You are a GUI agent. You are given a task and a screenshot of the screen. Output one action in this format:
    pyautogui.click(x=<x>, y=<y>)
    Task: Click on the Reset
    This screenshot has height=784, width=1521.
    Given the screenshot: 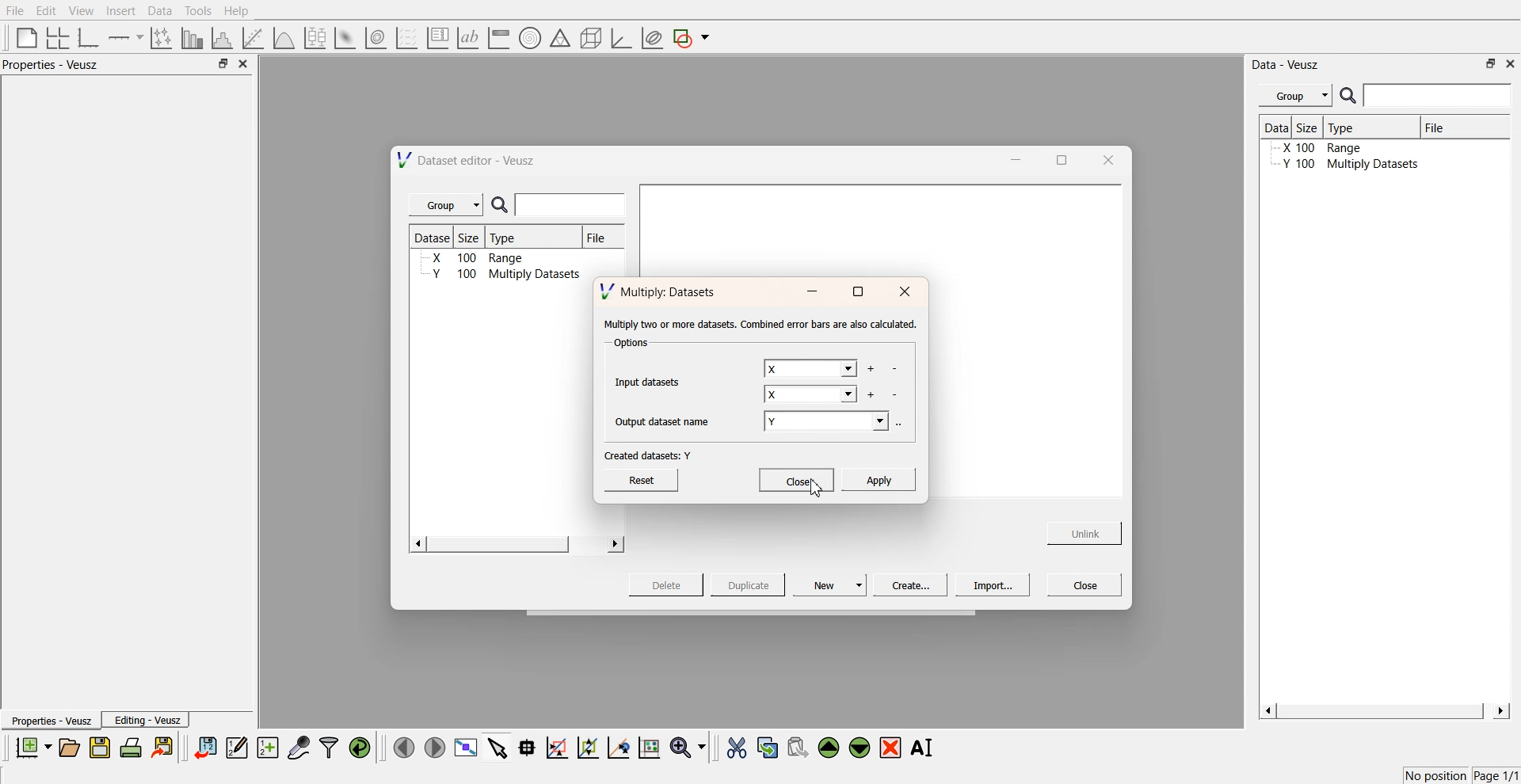 What is the action you would take?
    pyautogui.click(x=644, y=478)
    